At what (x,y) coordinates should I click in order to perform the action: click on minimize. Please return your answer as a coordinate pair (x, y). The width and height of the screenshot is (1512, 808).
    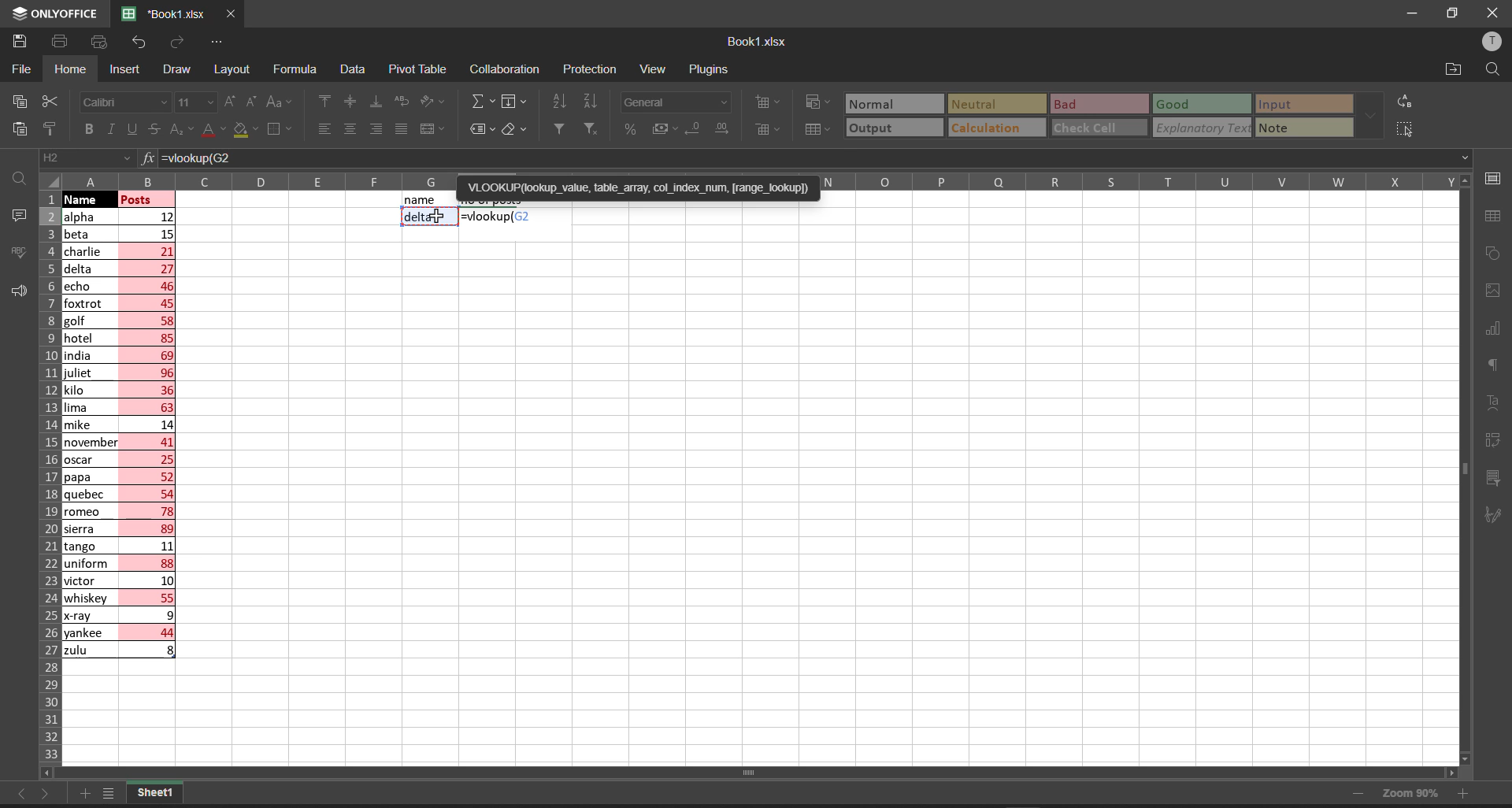
    Looking at the image, I should click on (1417, 14).